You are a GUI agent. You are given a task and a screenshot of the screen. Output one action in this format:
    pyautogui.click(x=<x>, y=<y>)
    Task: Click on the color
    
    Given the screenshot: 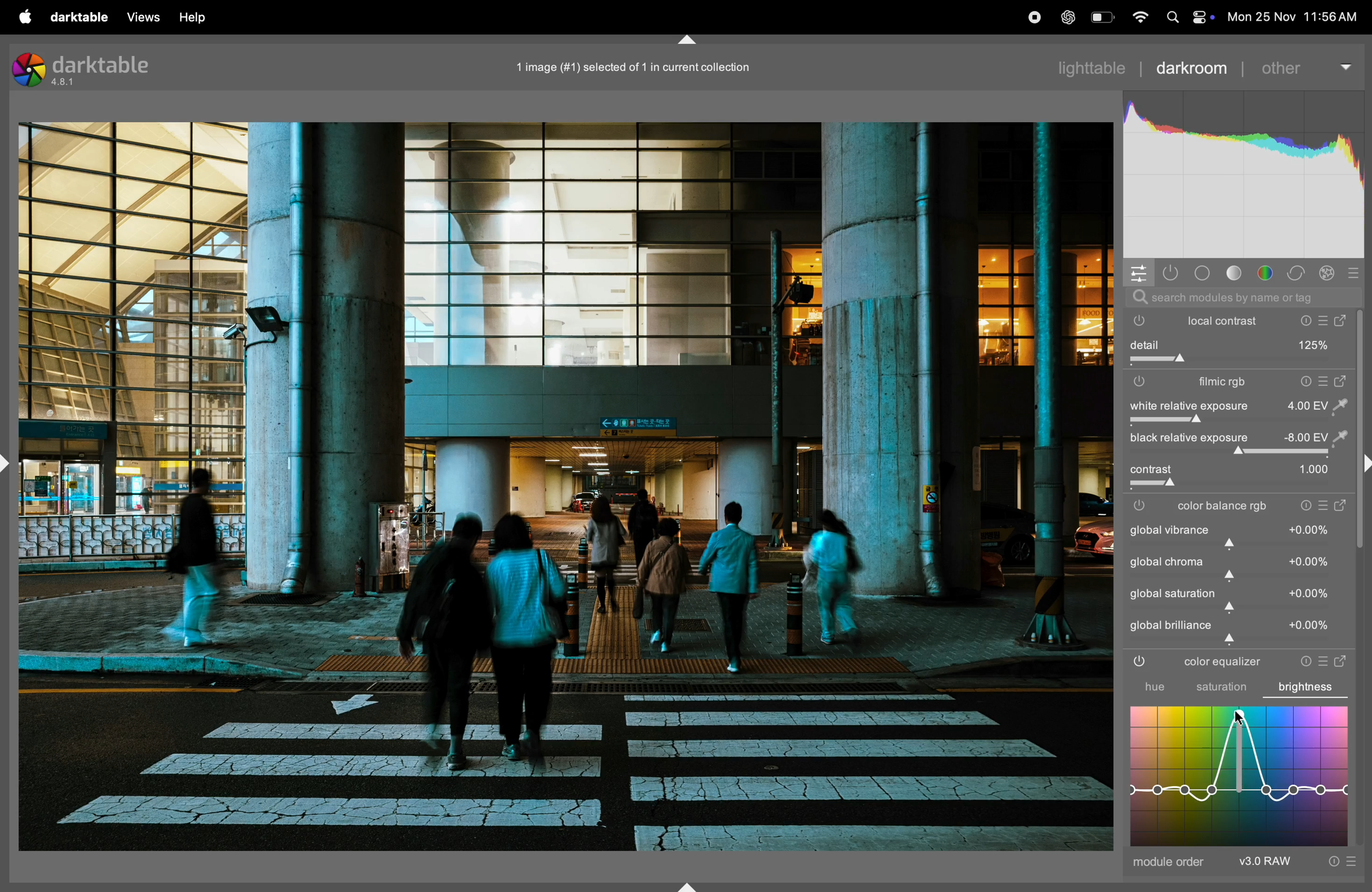 What is the action you would take?
    pyautogui.click(x=1268, y=273)
    